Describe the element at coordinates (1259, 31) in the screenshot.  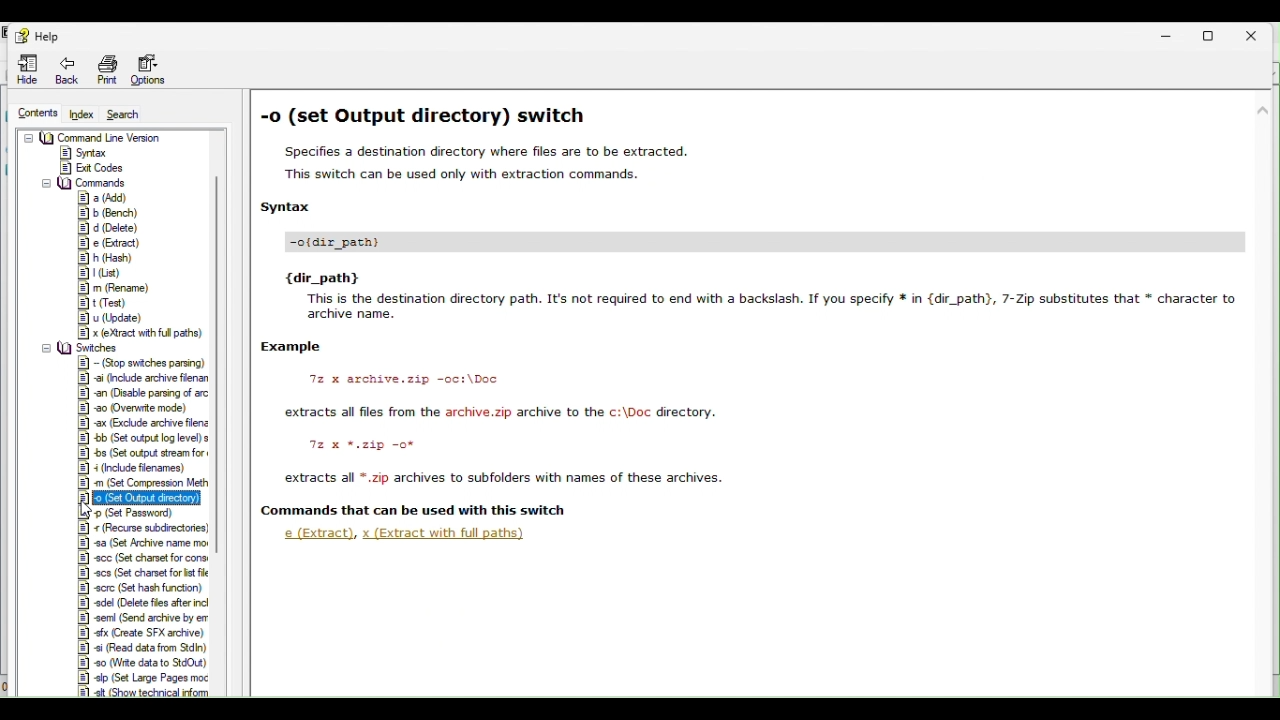
I see `Close` at that location.